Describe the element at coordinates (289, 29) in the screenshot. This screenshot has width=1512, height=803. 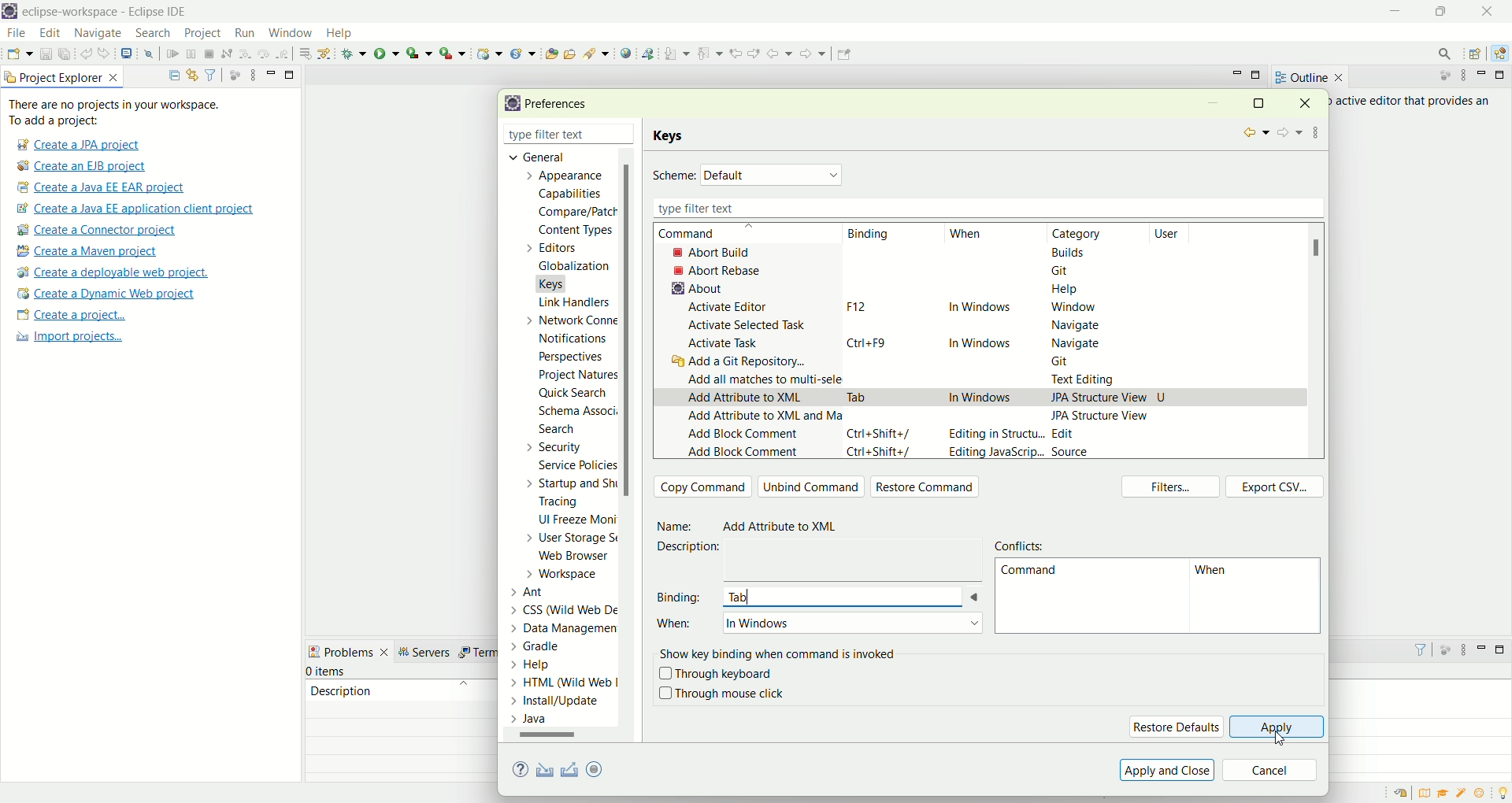
I see `window` at that location.